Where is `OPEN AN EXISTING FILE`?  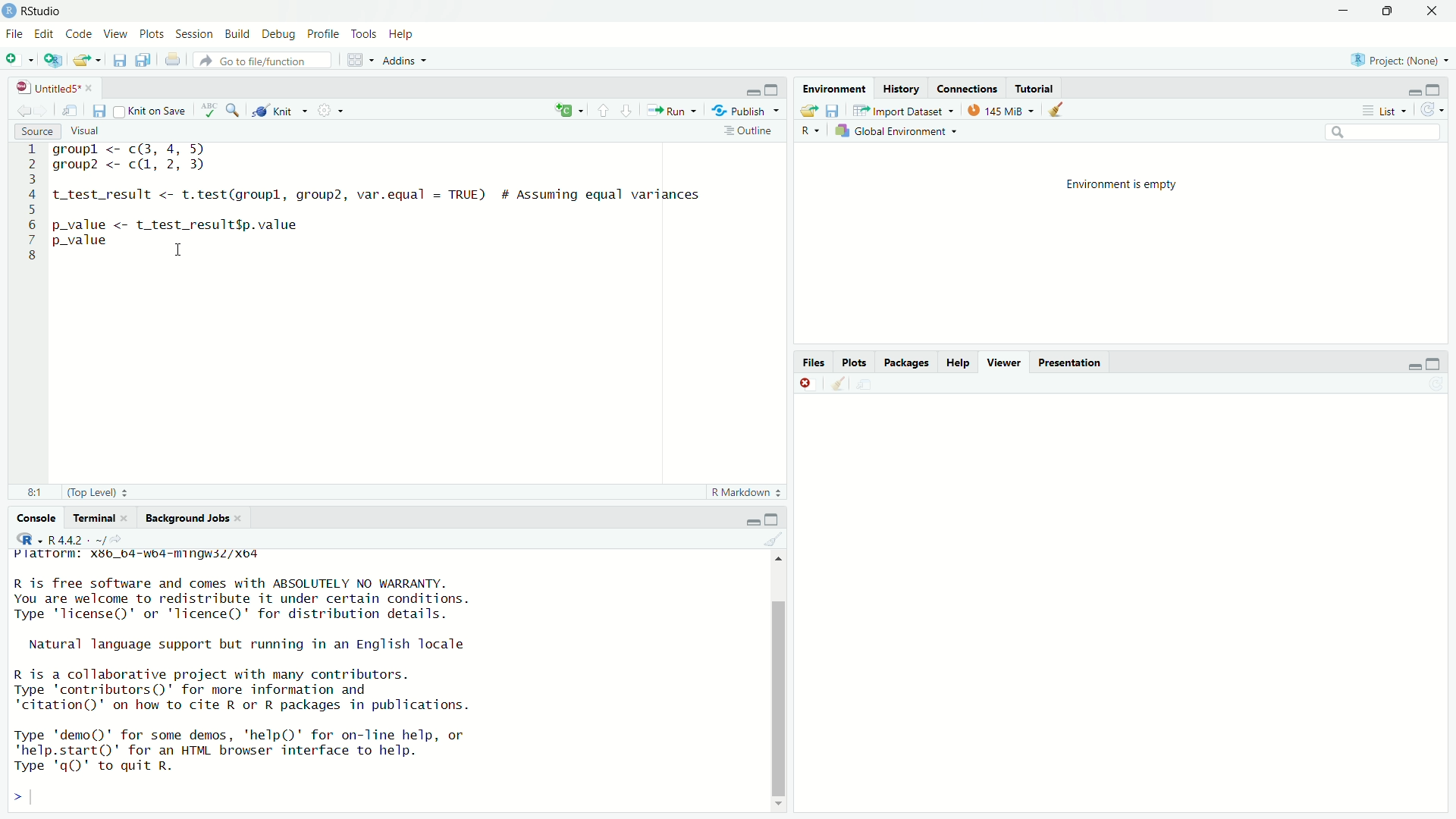
OPEN AN EXISTING FILE is located at coordinates (86, 60).